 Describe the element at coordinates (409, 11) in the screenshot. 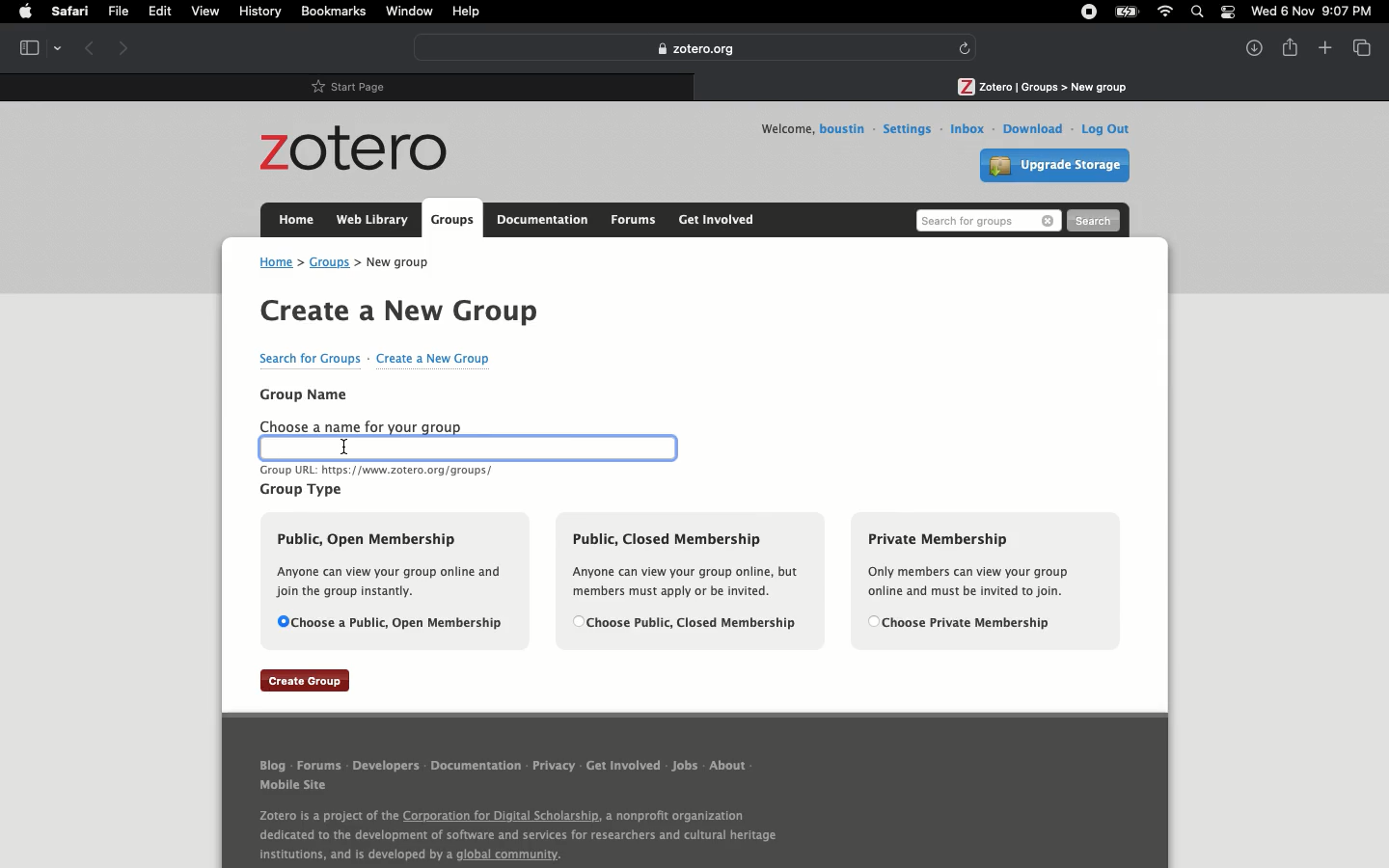

I see `Window` at that location.